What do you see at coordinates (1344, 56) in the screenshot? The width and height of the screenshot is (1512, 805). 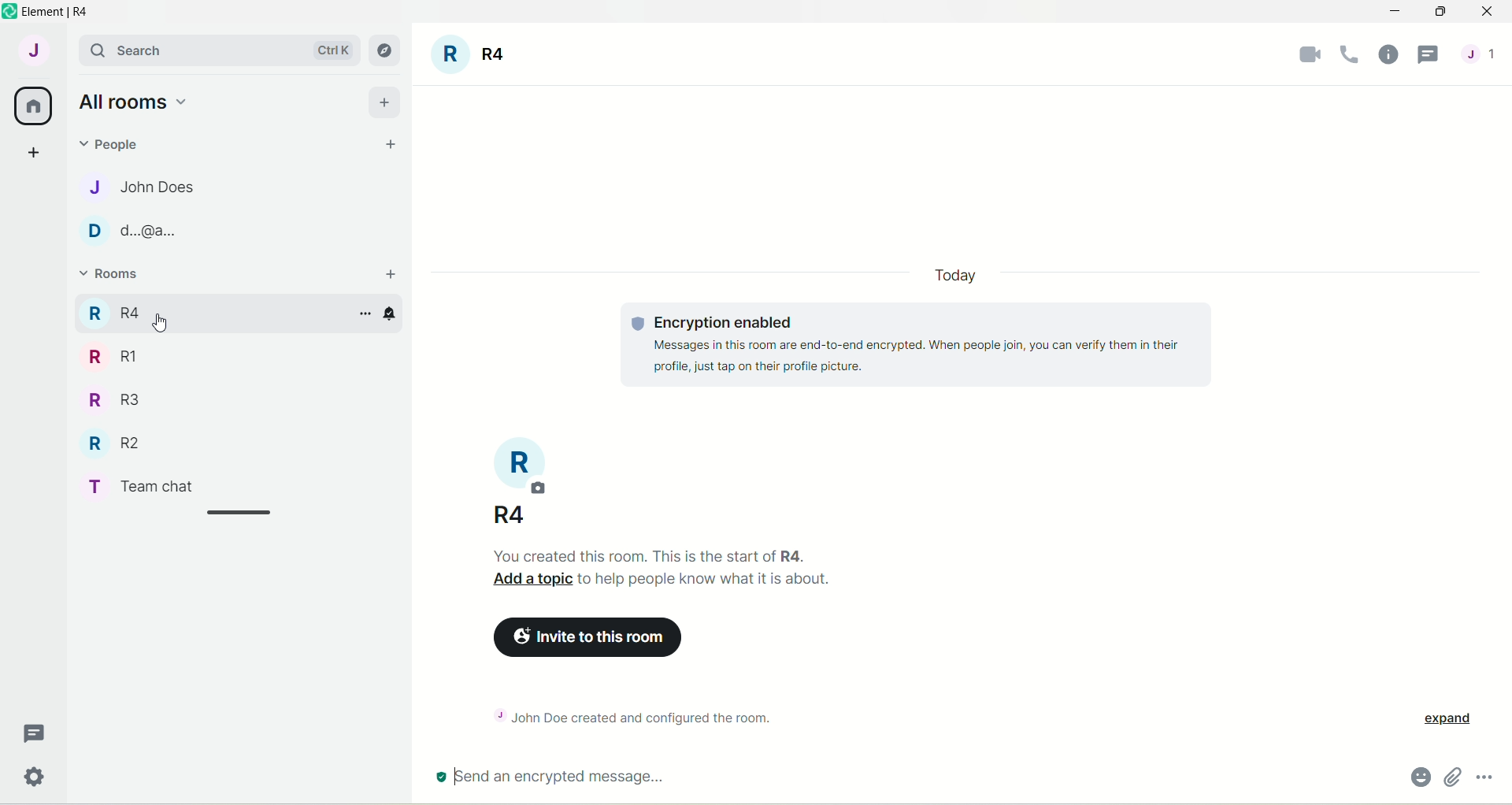 I see `voice call` at bounding box center [1344, 56].